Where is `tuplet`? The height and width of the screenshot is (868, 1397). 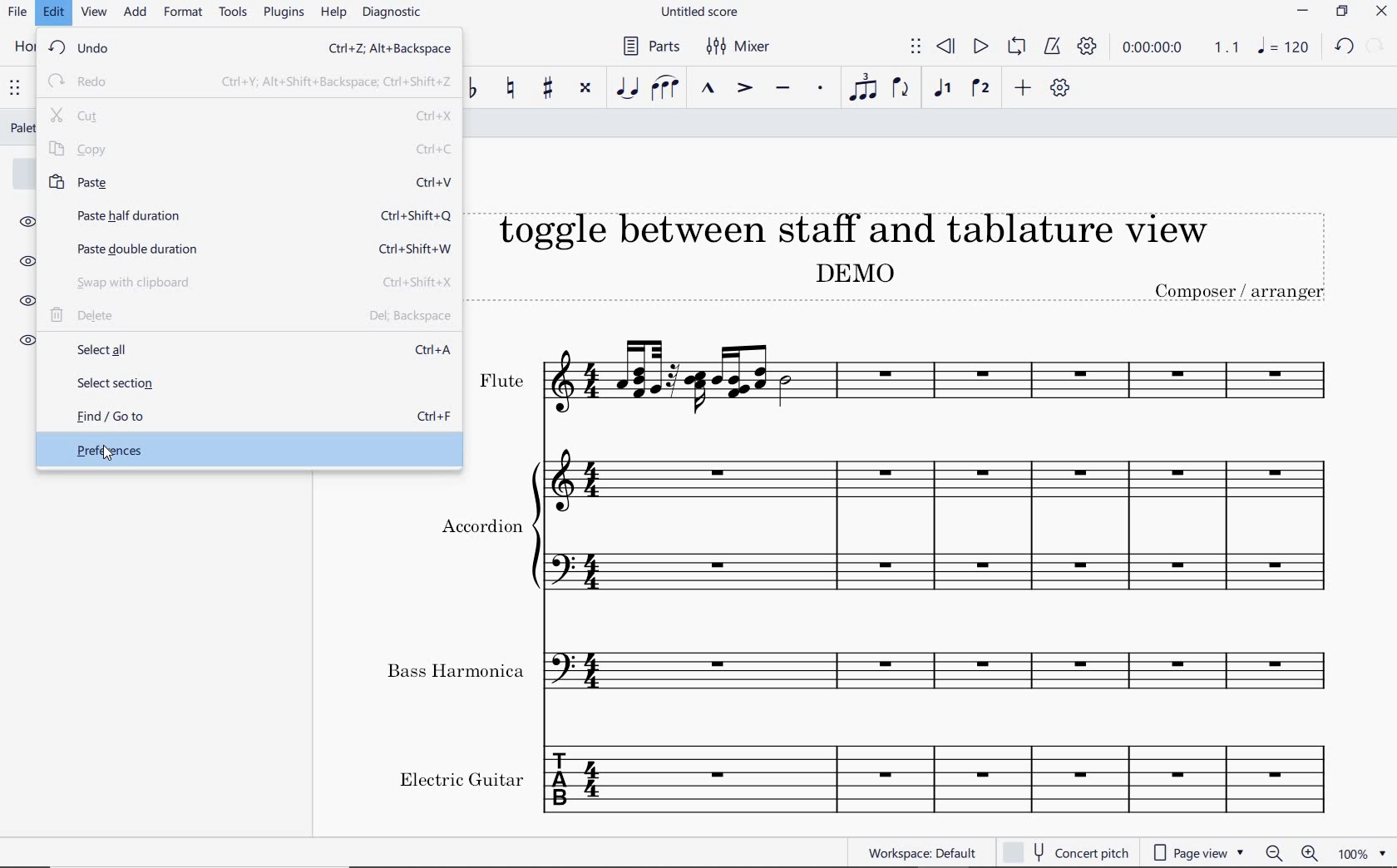 tuplet is located at coordinates (864, 89).